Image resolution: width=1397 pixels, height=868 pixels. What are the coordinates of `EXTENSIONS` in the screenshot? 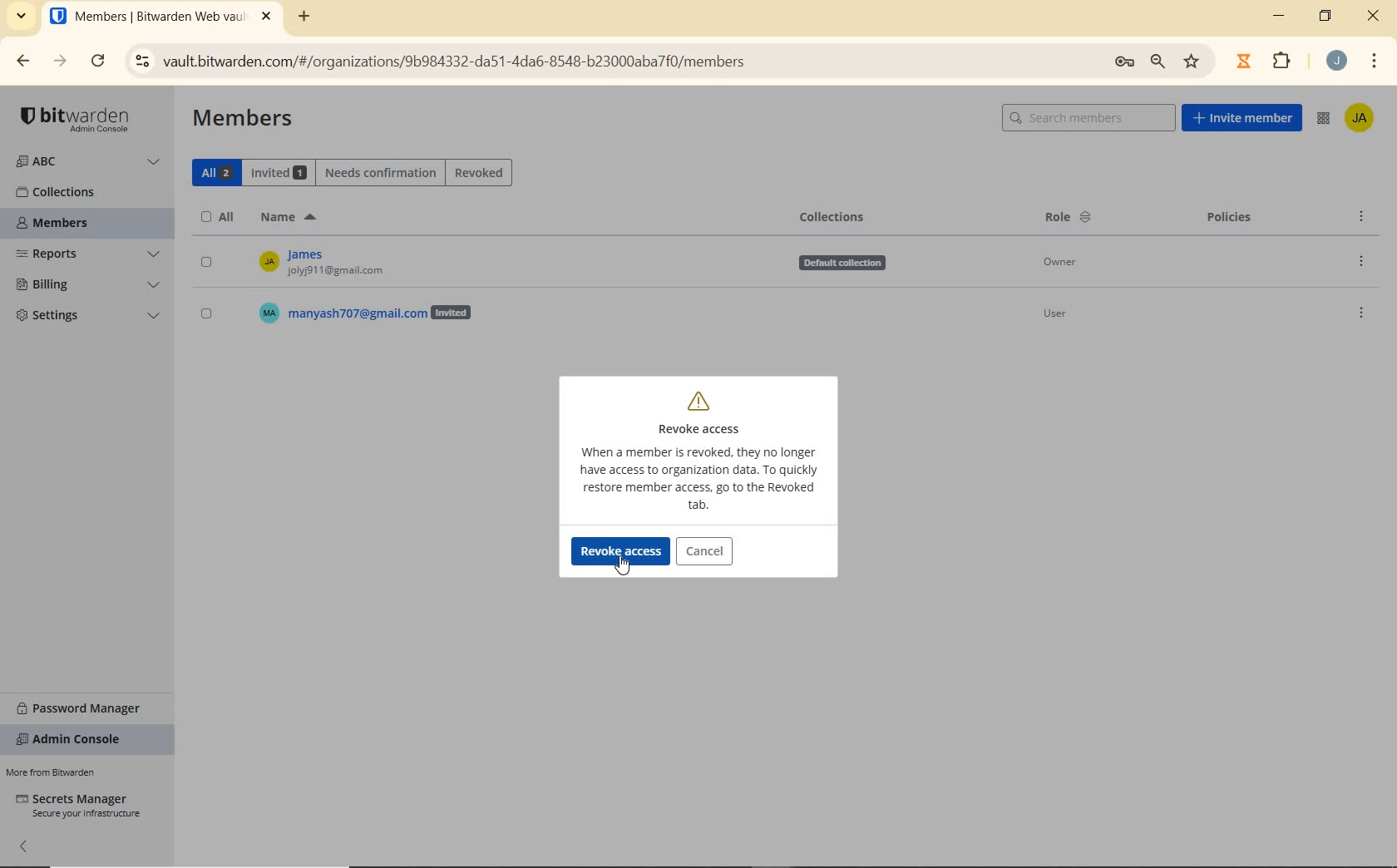 It's located at (1266, 60).